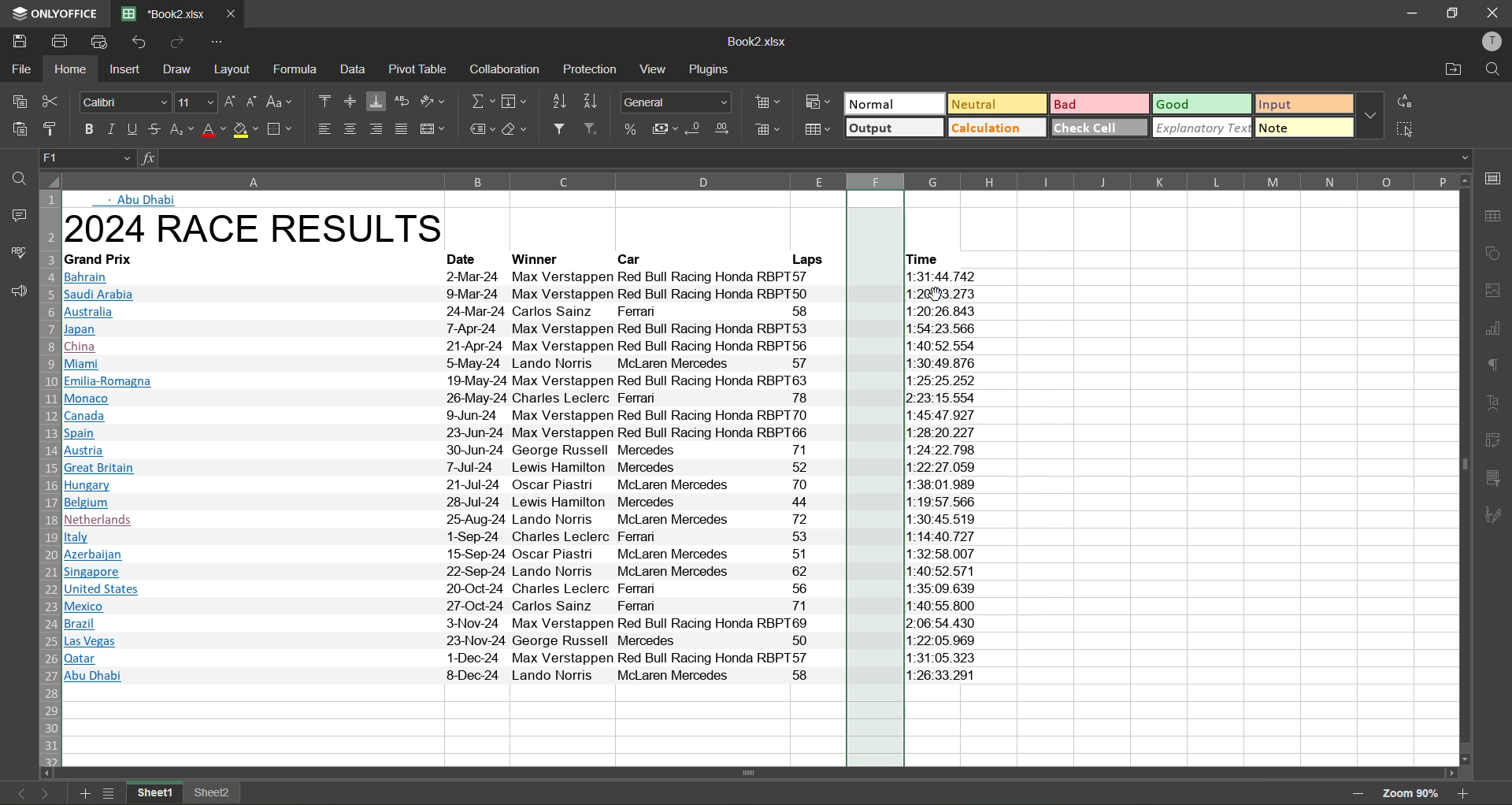  What do you see at coordinates (663, 128) in the screenshot?
I see `accounting` at bounding box center [663, 128].